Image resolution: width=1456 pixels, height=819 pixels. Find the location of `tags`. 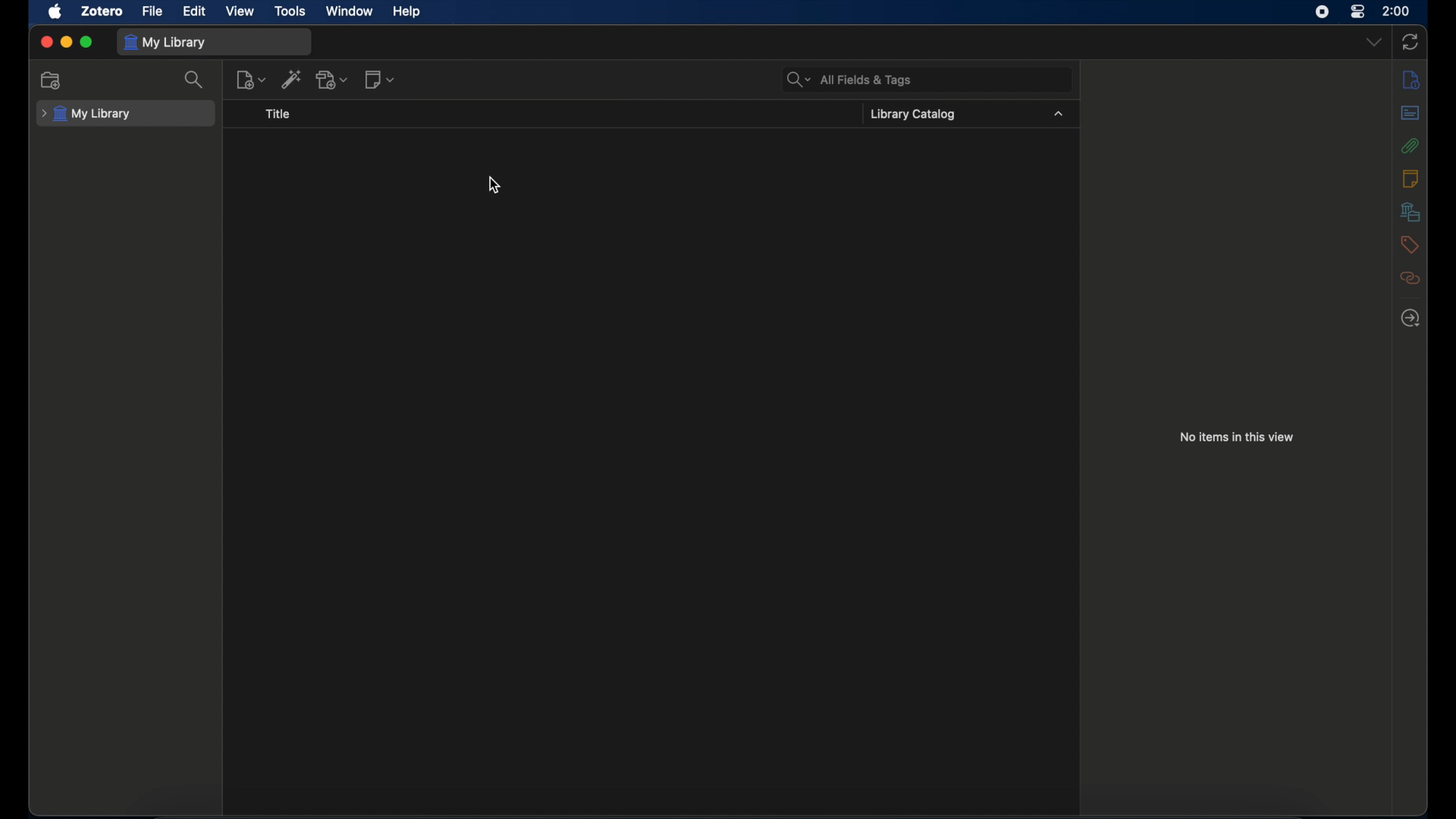

tags is located at coordinates (1411, 245).